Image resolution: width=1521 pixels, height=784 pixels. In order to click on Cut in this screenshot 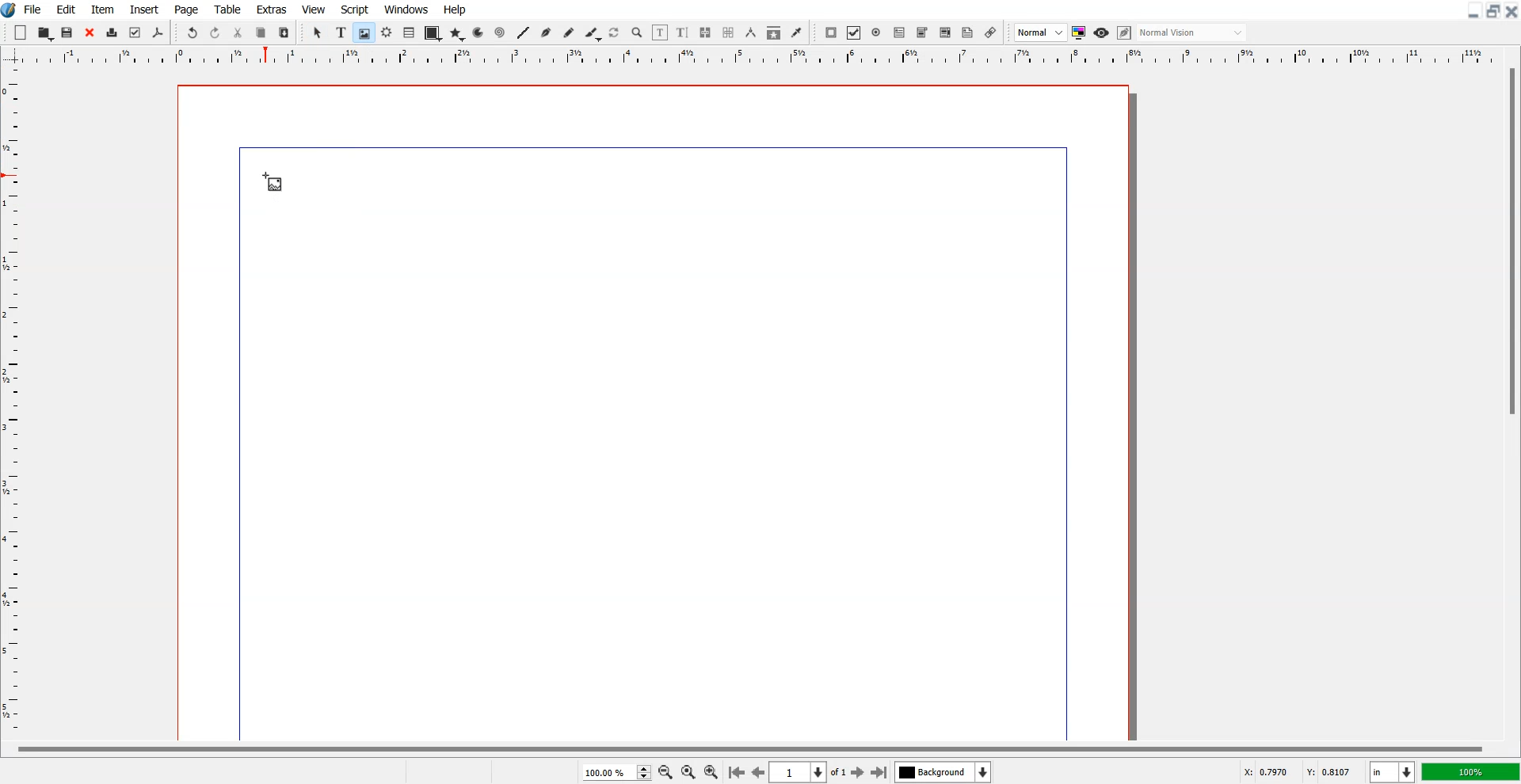, I will do `click(238, 32)`.